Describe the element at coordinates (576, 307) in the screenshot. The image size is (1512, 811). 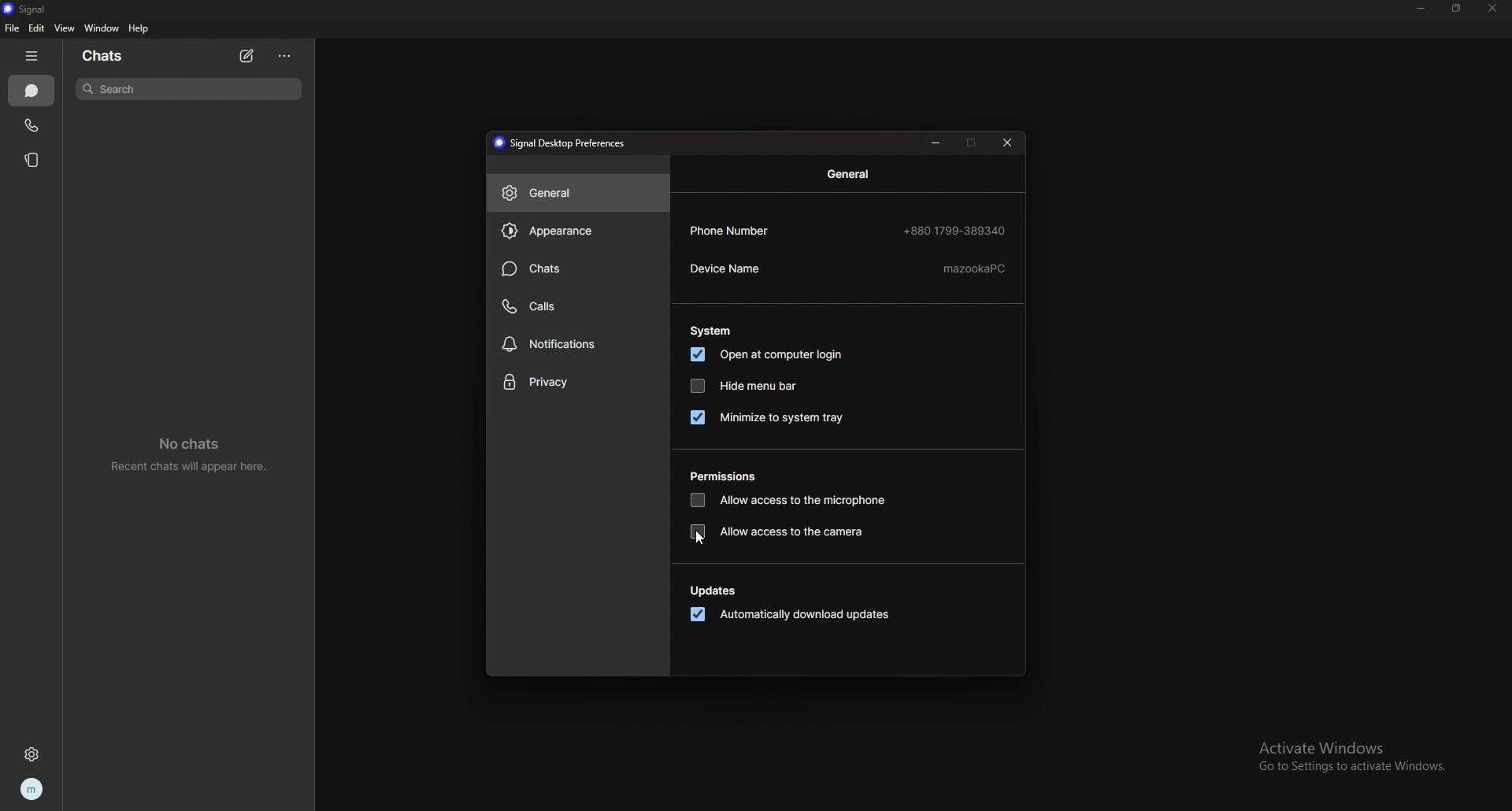
I see `calls` at that location.